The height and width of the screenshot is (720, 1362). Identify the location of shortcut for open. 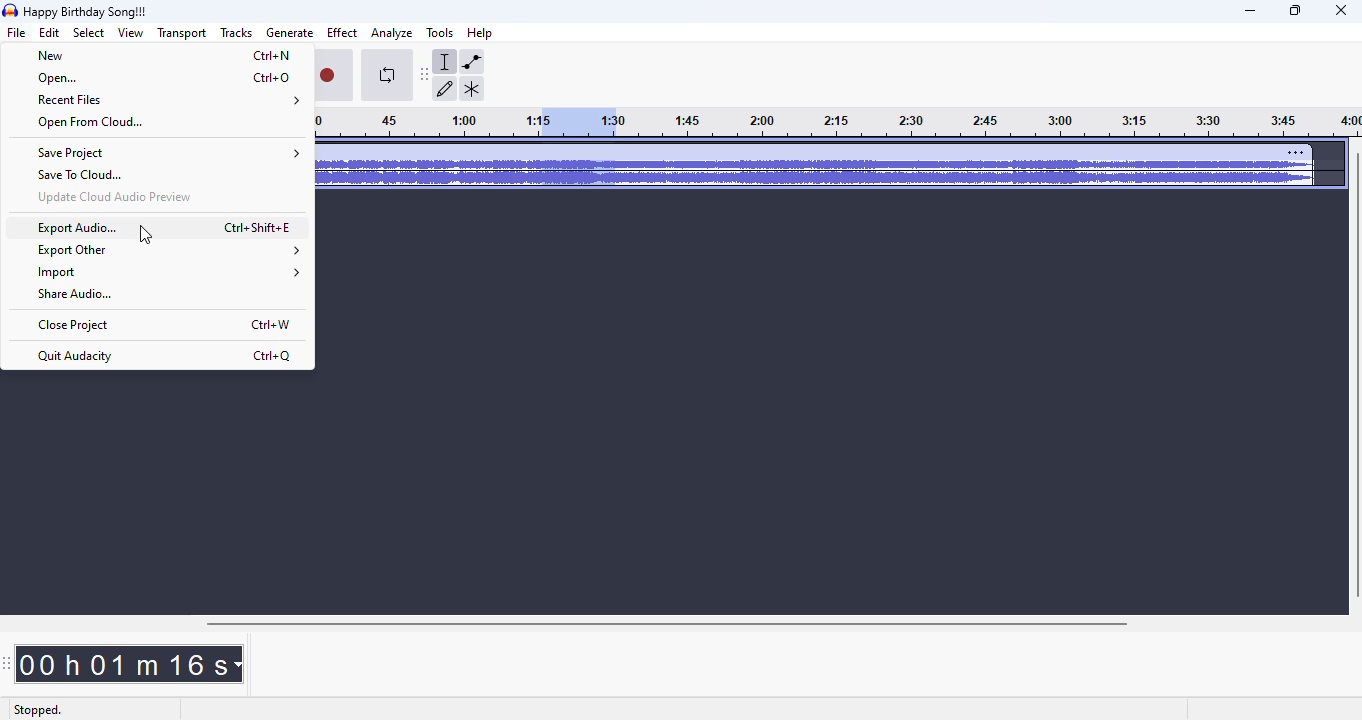
(272, 78).